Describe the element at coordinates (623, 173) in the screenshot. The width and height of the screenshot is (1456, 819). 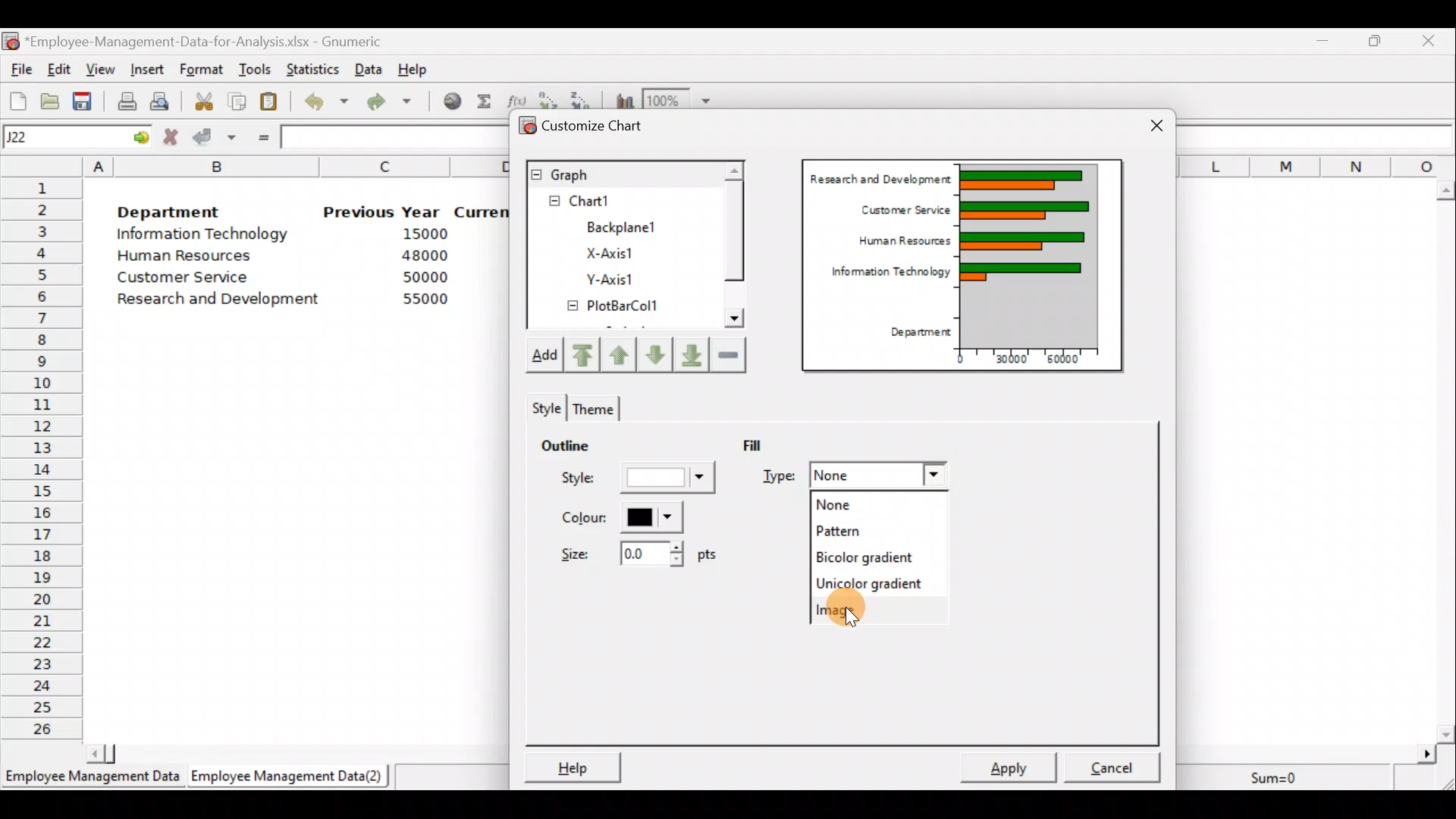
I see `Graph` at that location.